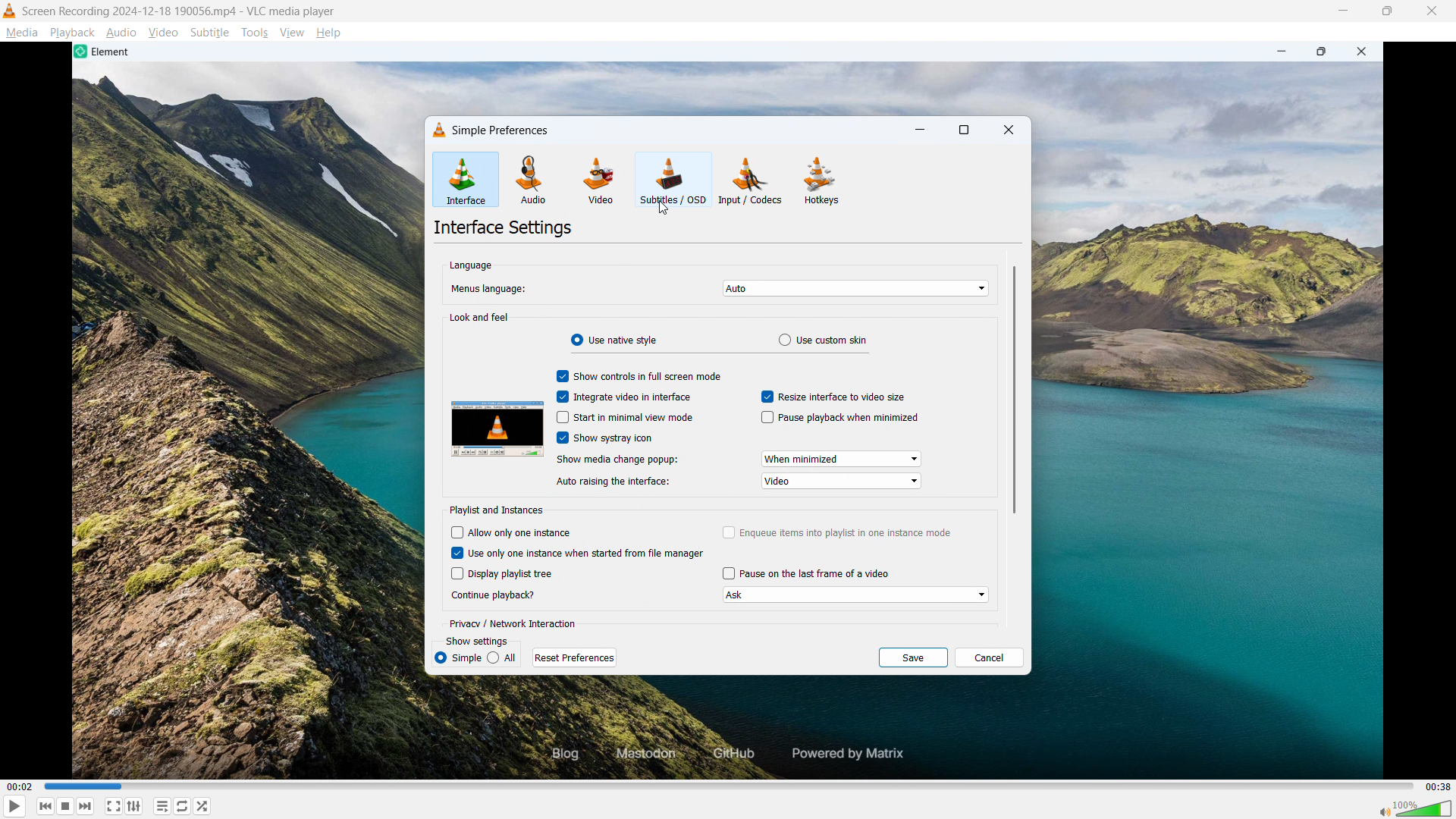  What do you see at coordinates (504, 657) in the screenshot?
I see `all` at bounding box center [504, 657].